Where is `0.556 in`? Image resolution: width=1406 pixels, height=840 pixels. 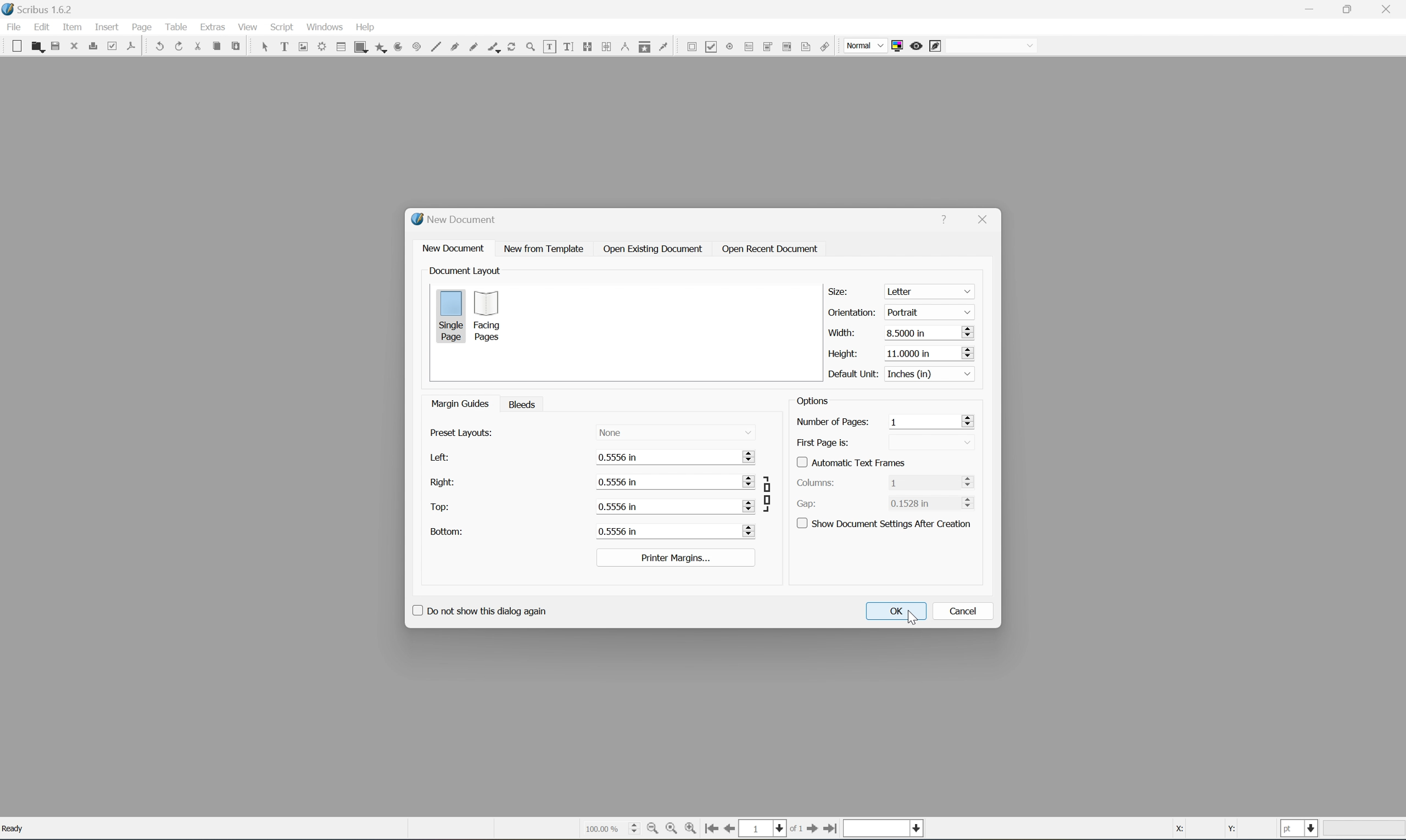 0.556 in is located at coordinates (673, 482).